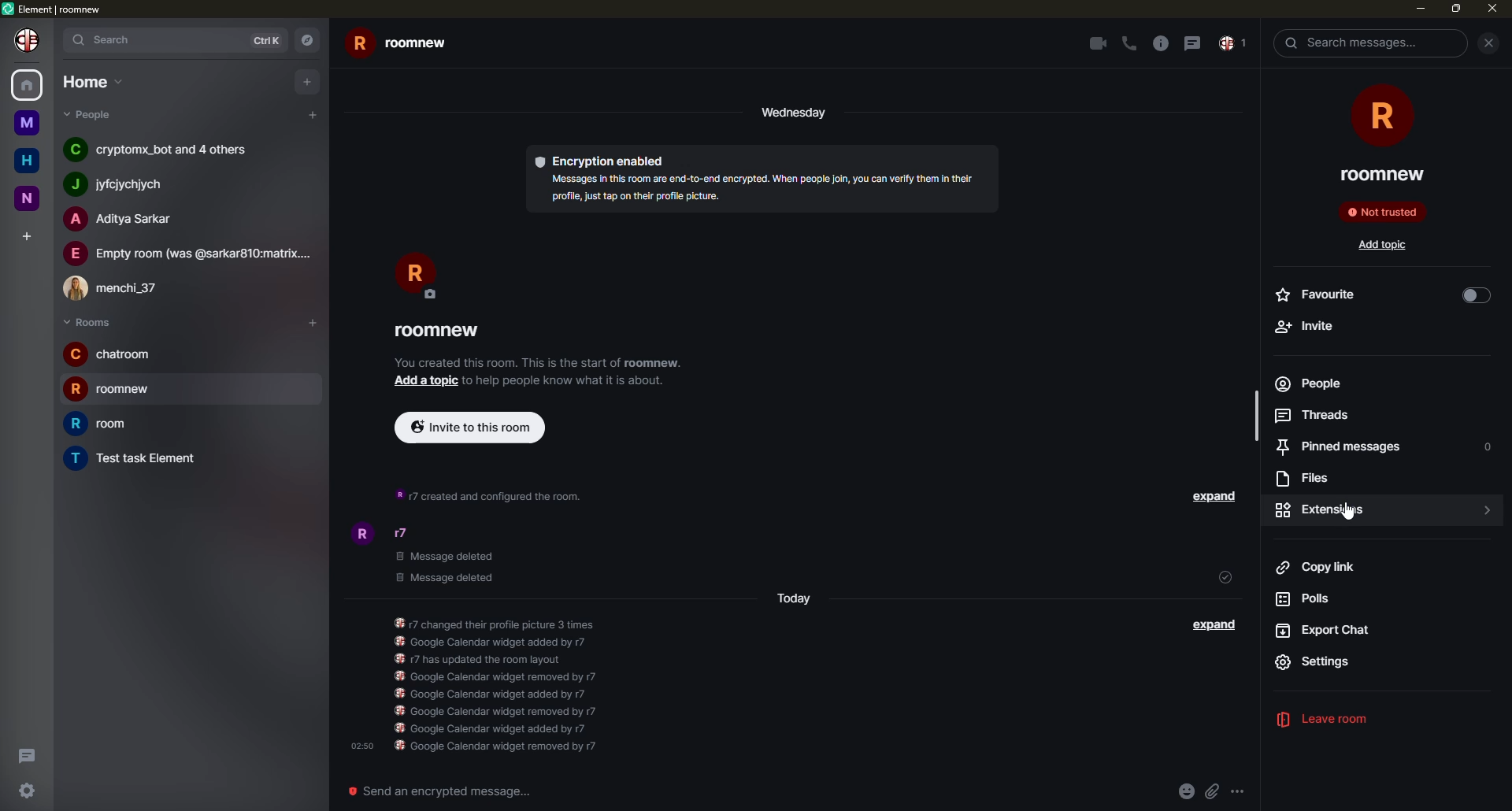  What do you see at coordinates (1325, 721) in the screenshot?
I see `leave room` at bounding box center [1325, 721].